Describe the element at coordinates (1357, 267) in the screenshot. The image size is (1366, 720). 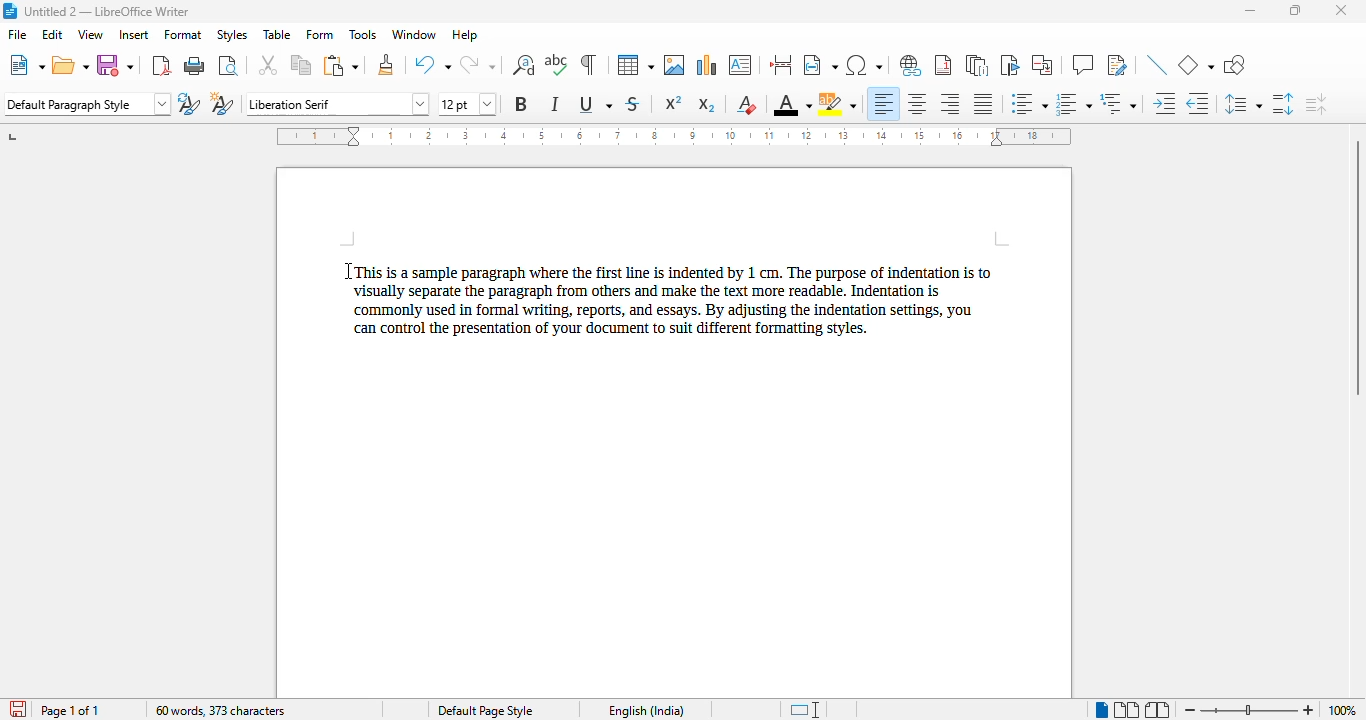
I see `vertical scroll bar` at that location.